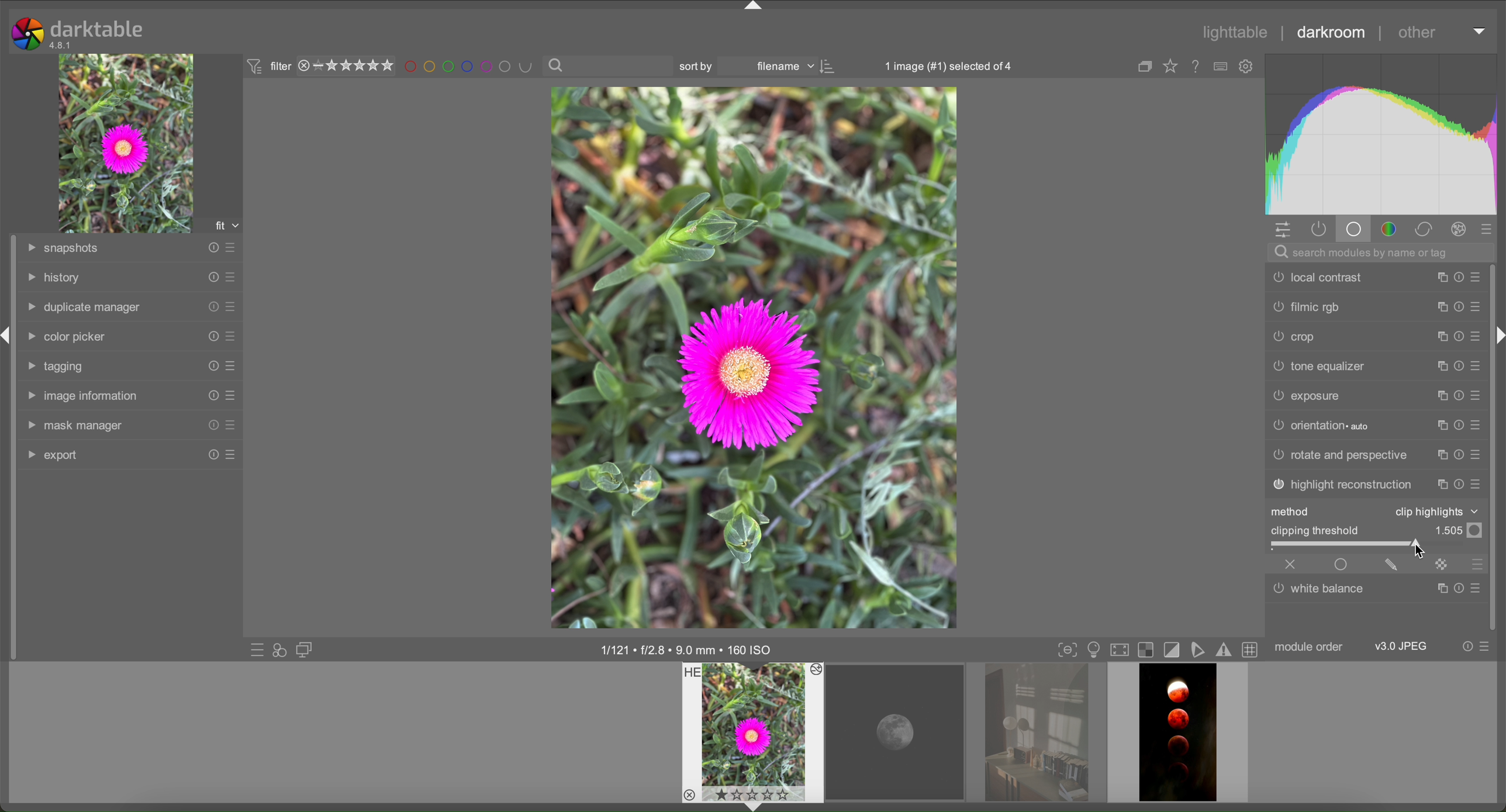 This screenshot has height=812, width=1506. What do you see at coordinates (210, 426) in the screenshot?
I see `reset presets` at bounding box center [210, 426].